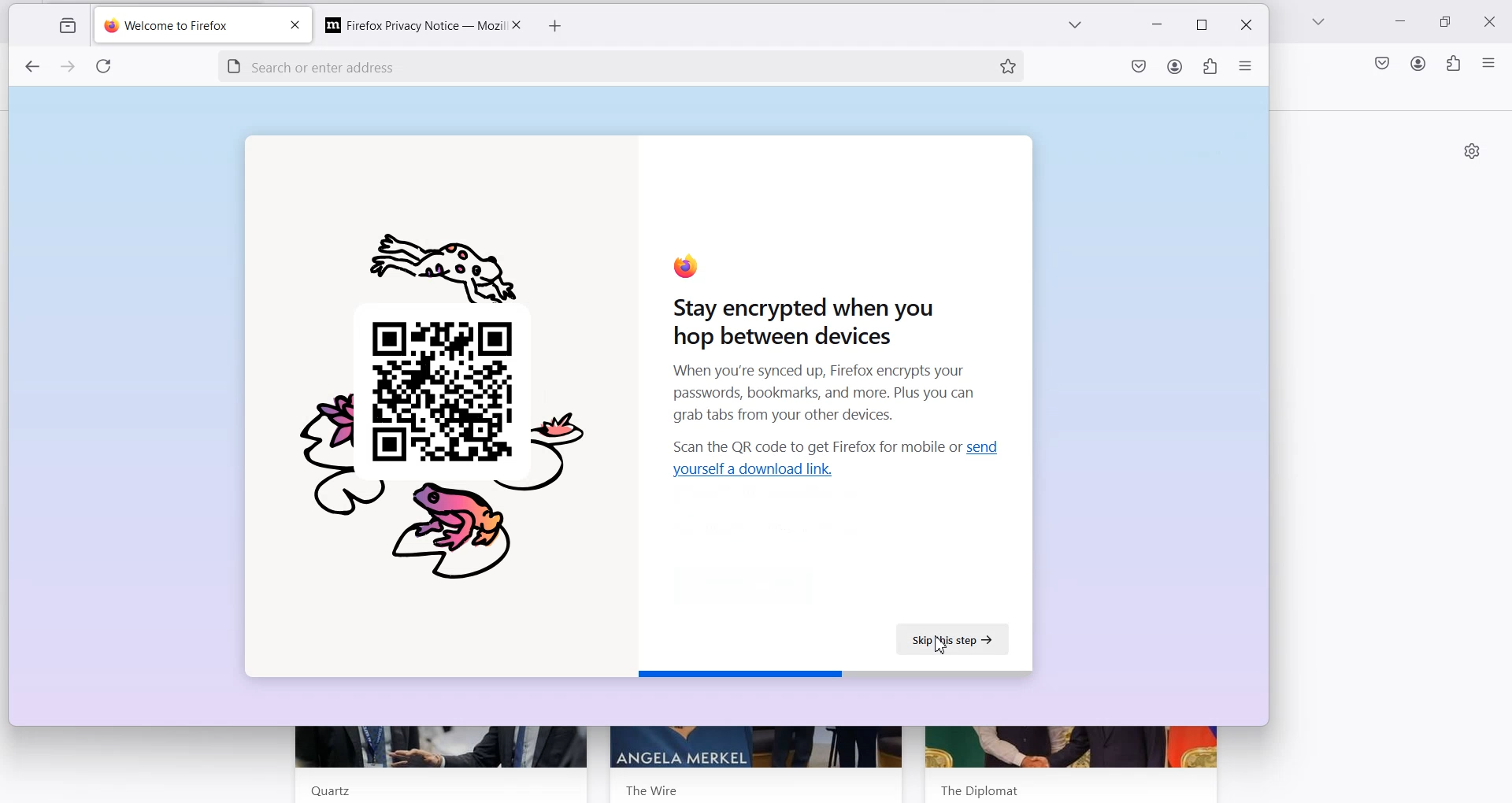 This screenshot has height=803, width=1512. Describe the element at coordinates (1472, 150) in the screenshot. I see `Personalize new tab ` at that location.